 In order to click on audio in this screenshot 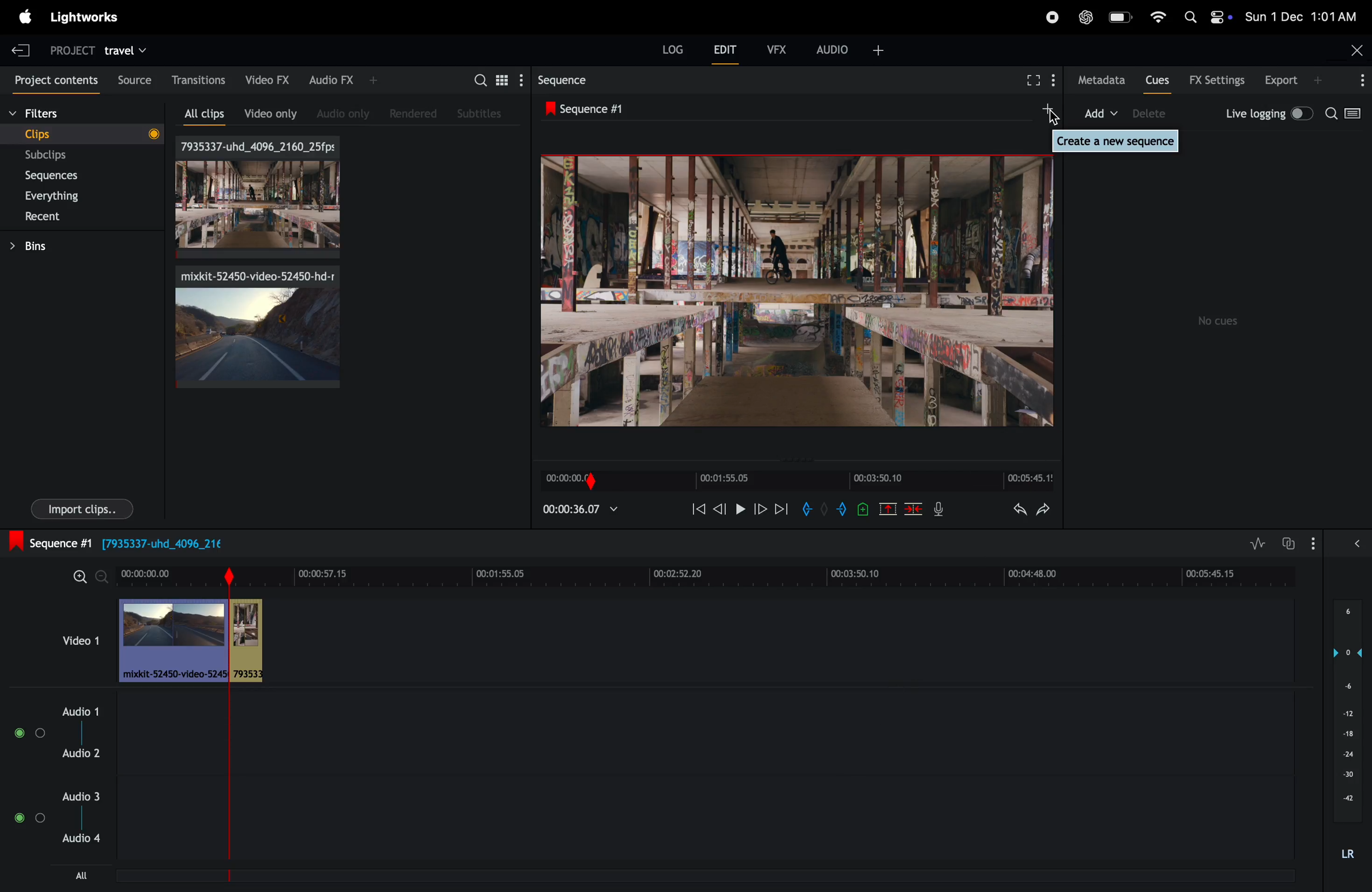, I will do `click(852, 49)`.